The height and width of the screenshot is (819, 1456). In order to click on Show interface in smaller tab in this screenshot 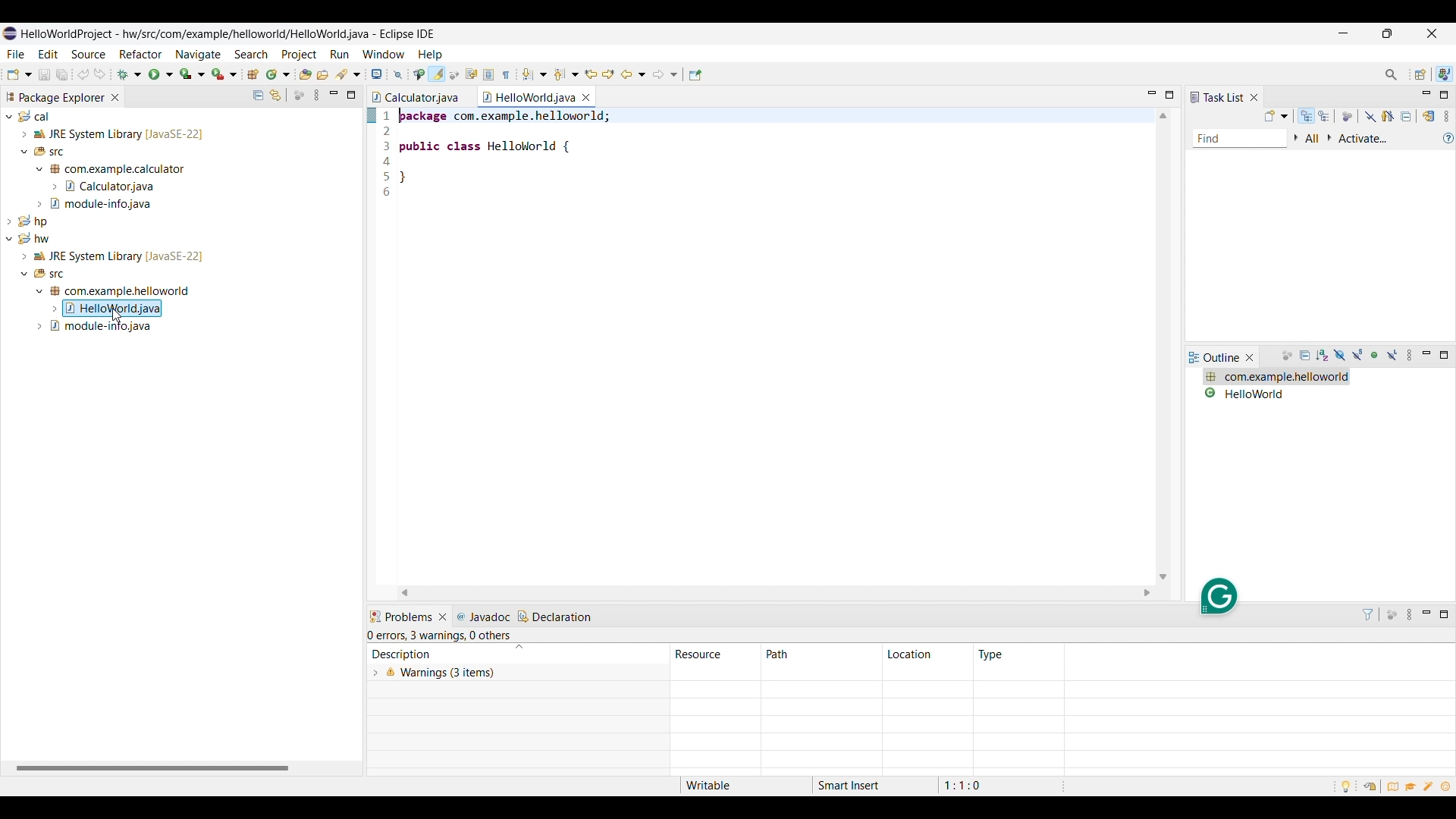, I will do `click(1388, 33)`.